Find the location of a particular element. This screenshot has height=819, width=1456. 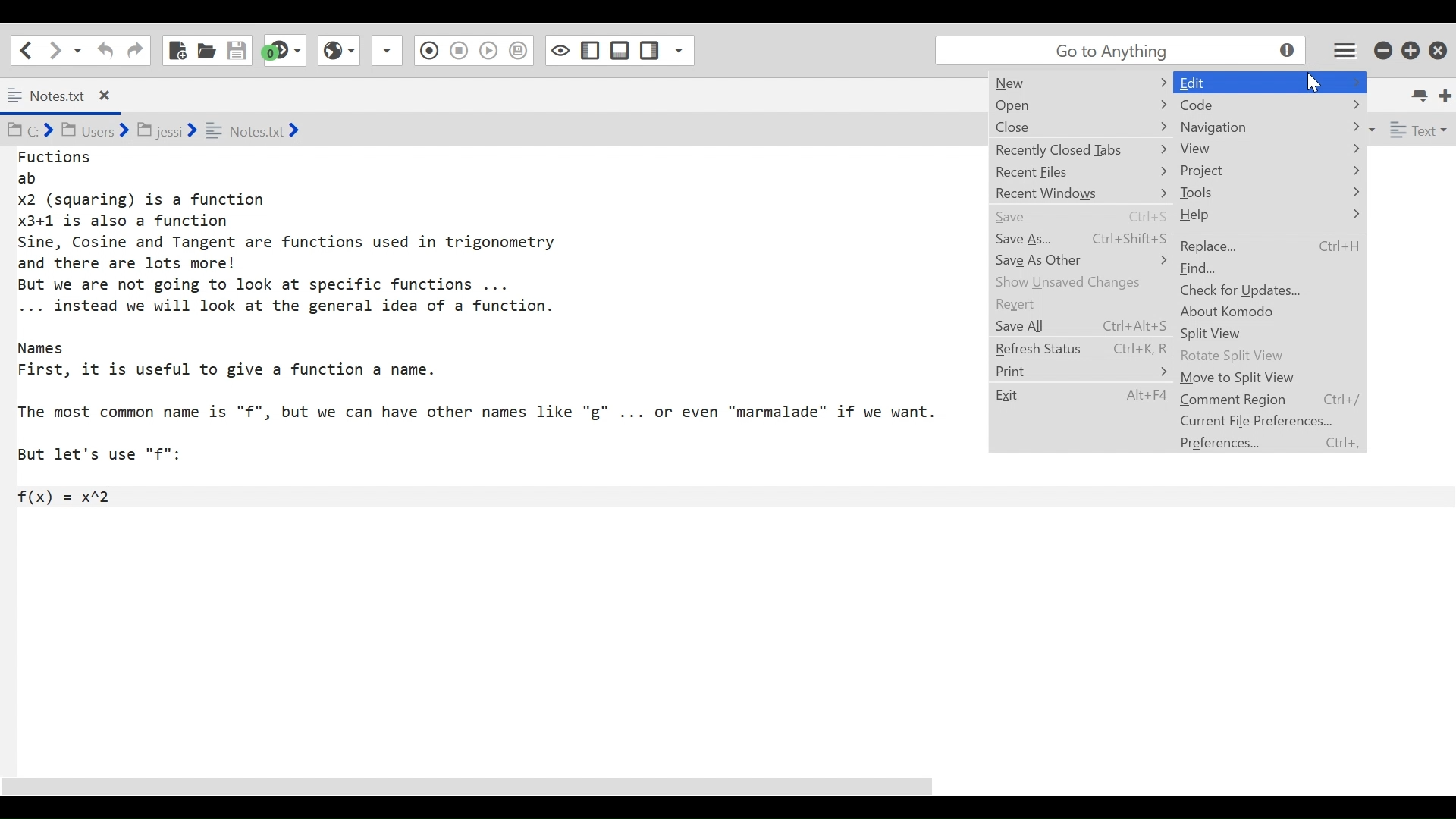

Open File is located at coordinates (206, 50).